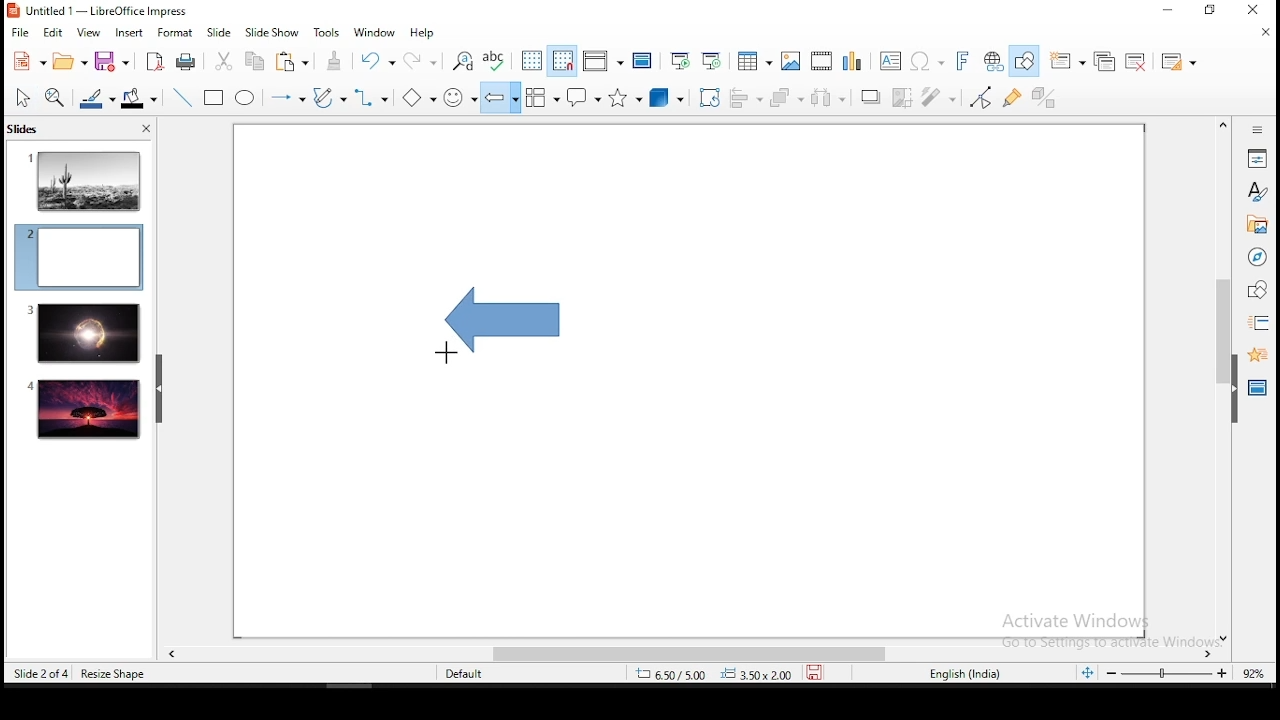 This screenshot has width=1280, height=720. I want to click on fontwork text, so click(961, 62).